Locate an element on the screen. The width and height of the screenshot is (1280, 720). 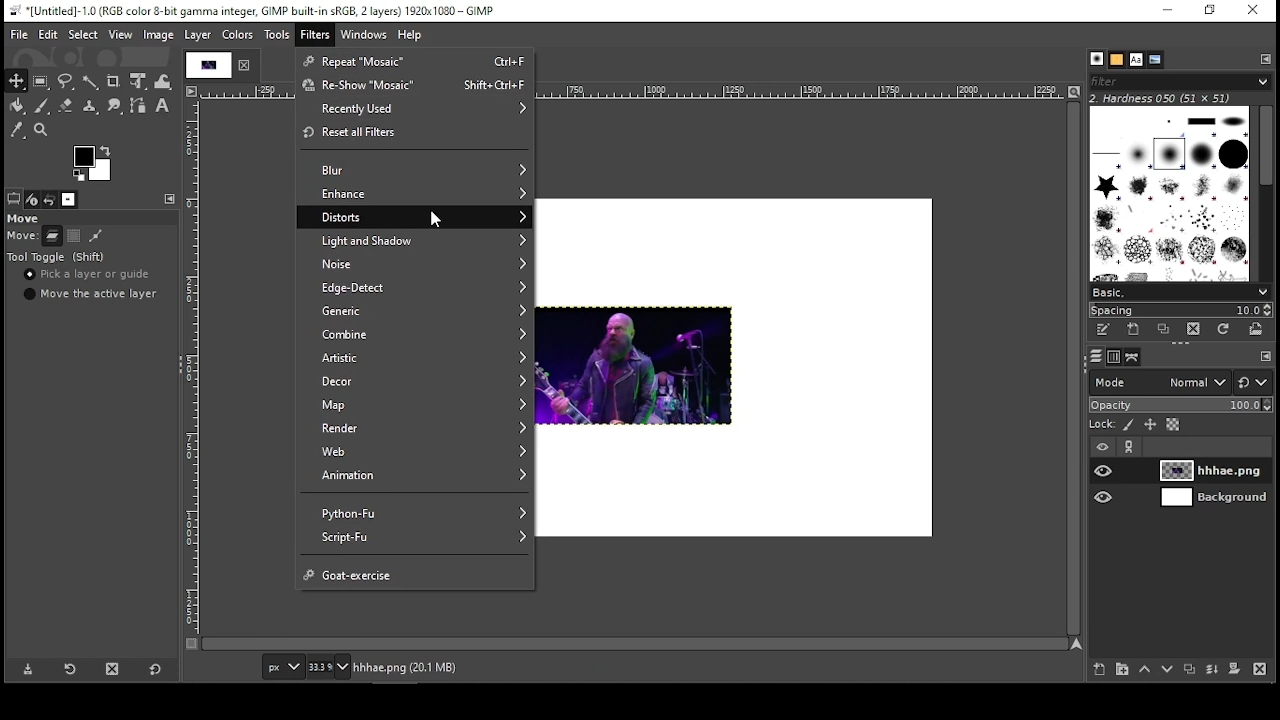
layer visibility on/off is located at coordinates (1105, 472).